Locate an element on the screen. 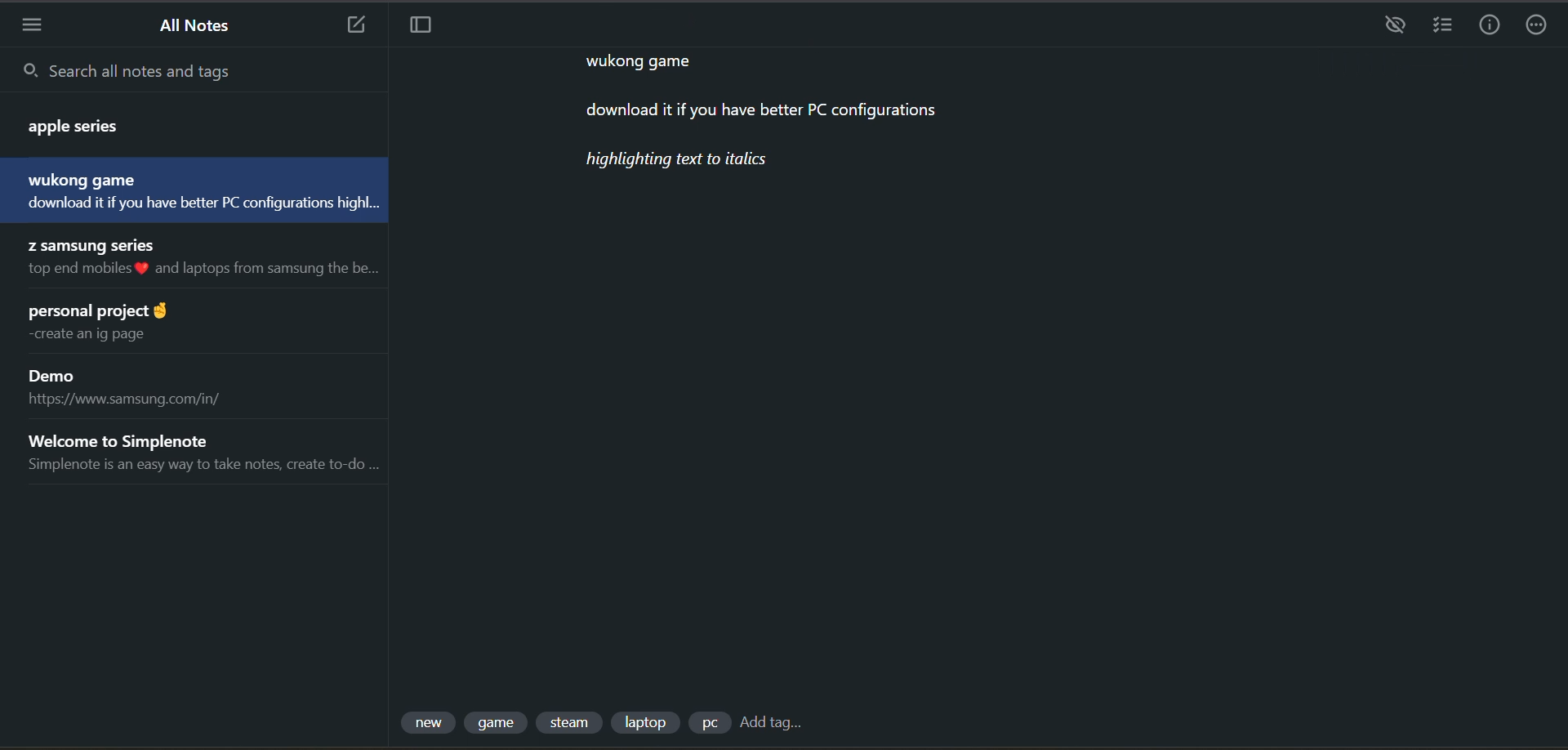  info is located at coordinates (1489, 26).